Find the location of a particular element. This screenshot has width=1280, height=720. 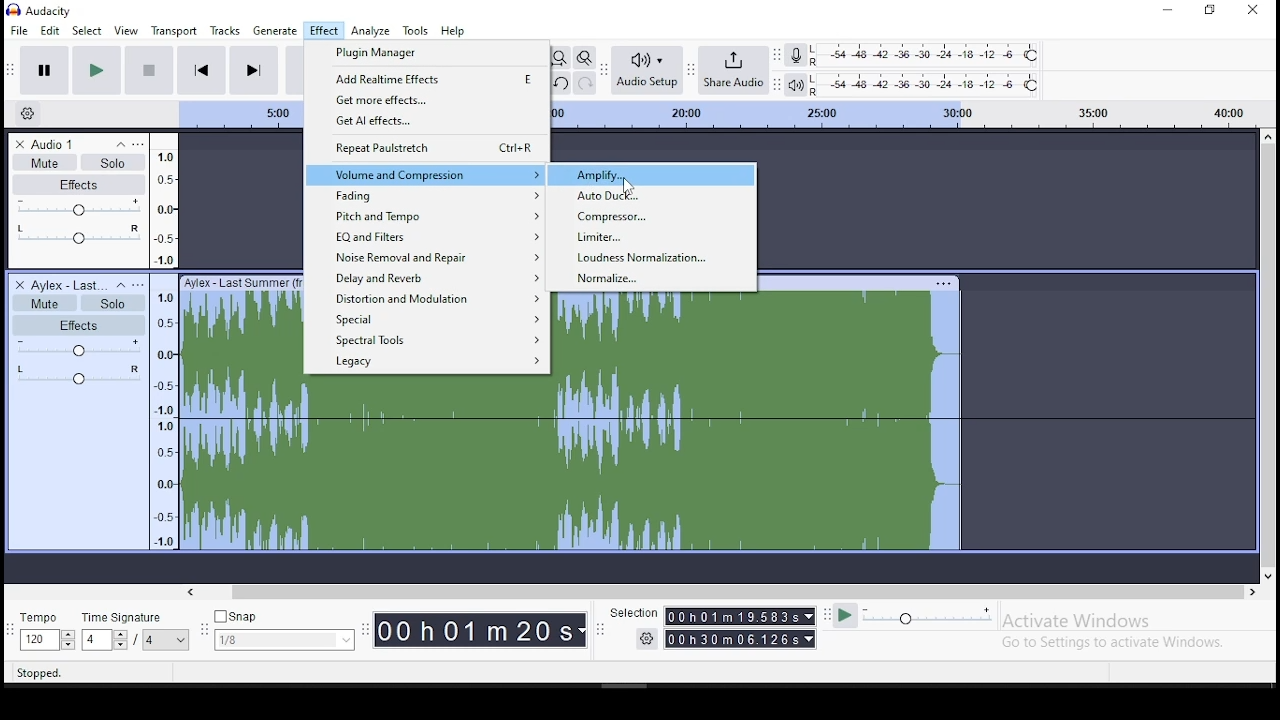

file is located at coordinates (16, 30).